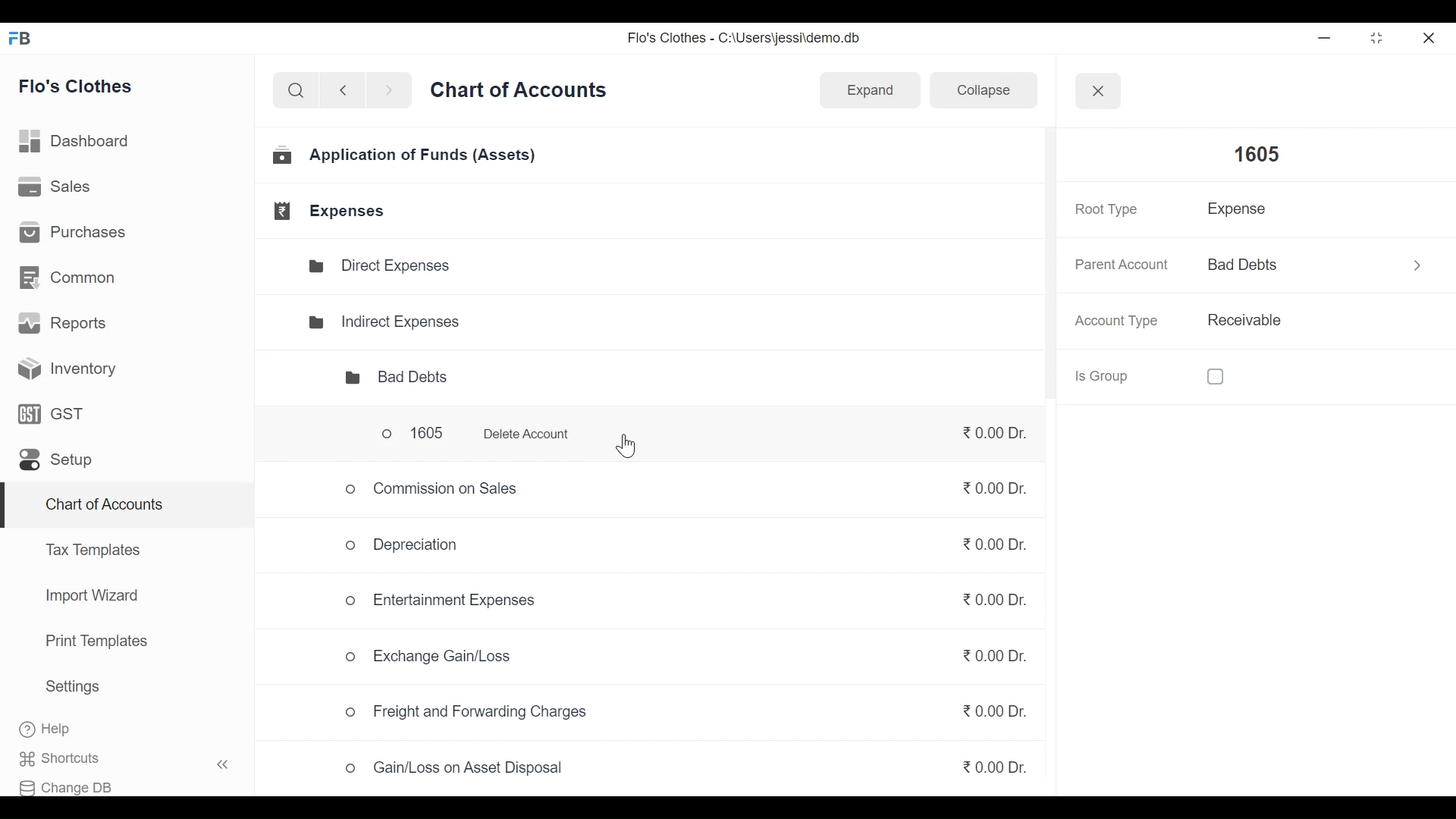  Describe the element at coordinates (384, 320) in the screenshot. I see `Indirect Expenses` at that location.